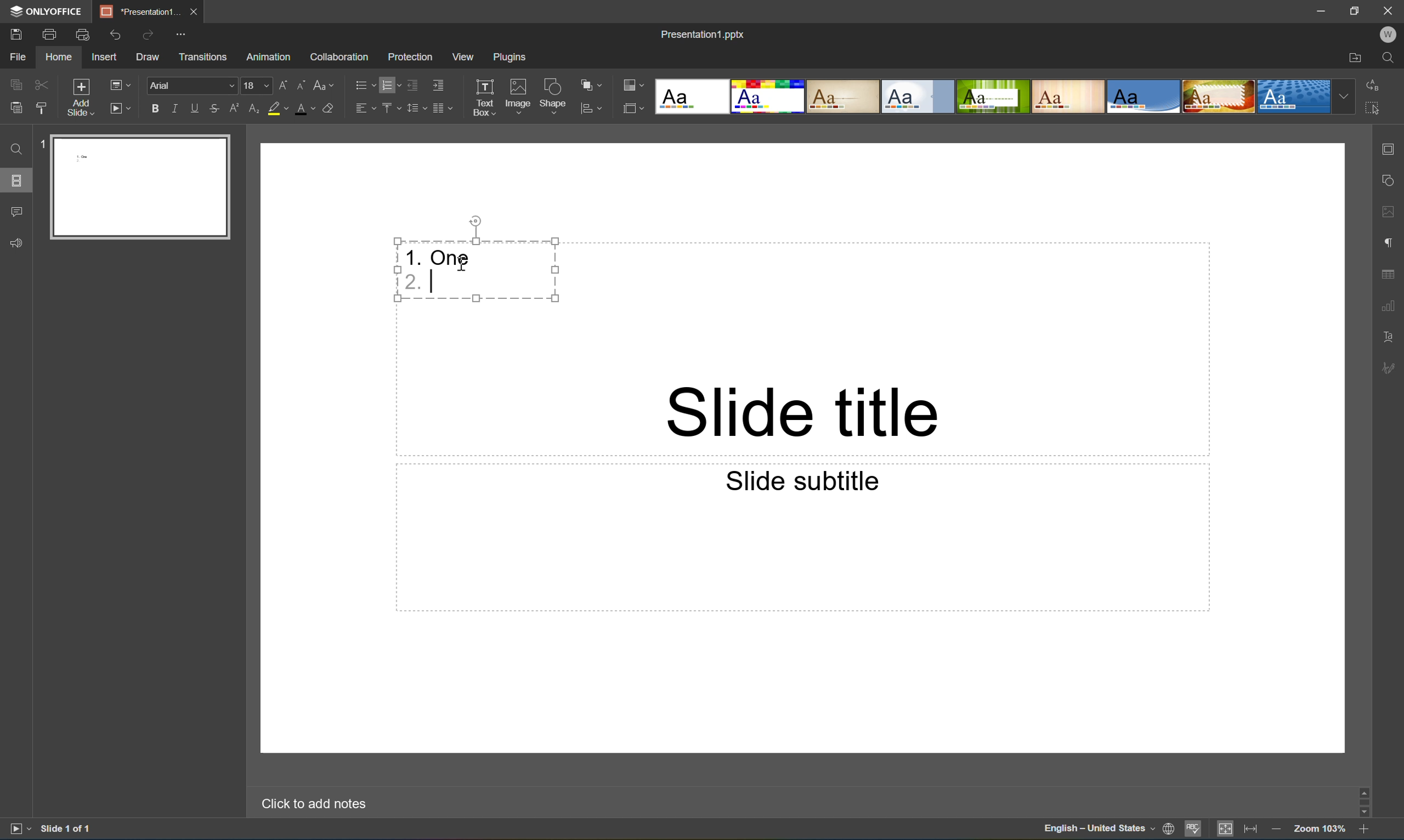 This screenshot has width=1404, height=840. What do you see at coordinates (1357, 58) in the screenshot?
I see `Open file location` at bounding box center [1357, 58].